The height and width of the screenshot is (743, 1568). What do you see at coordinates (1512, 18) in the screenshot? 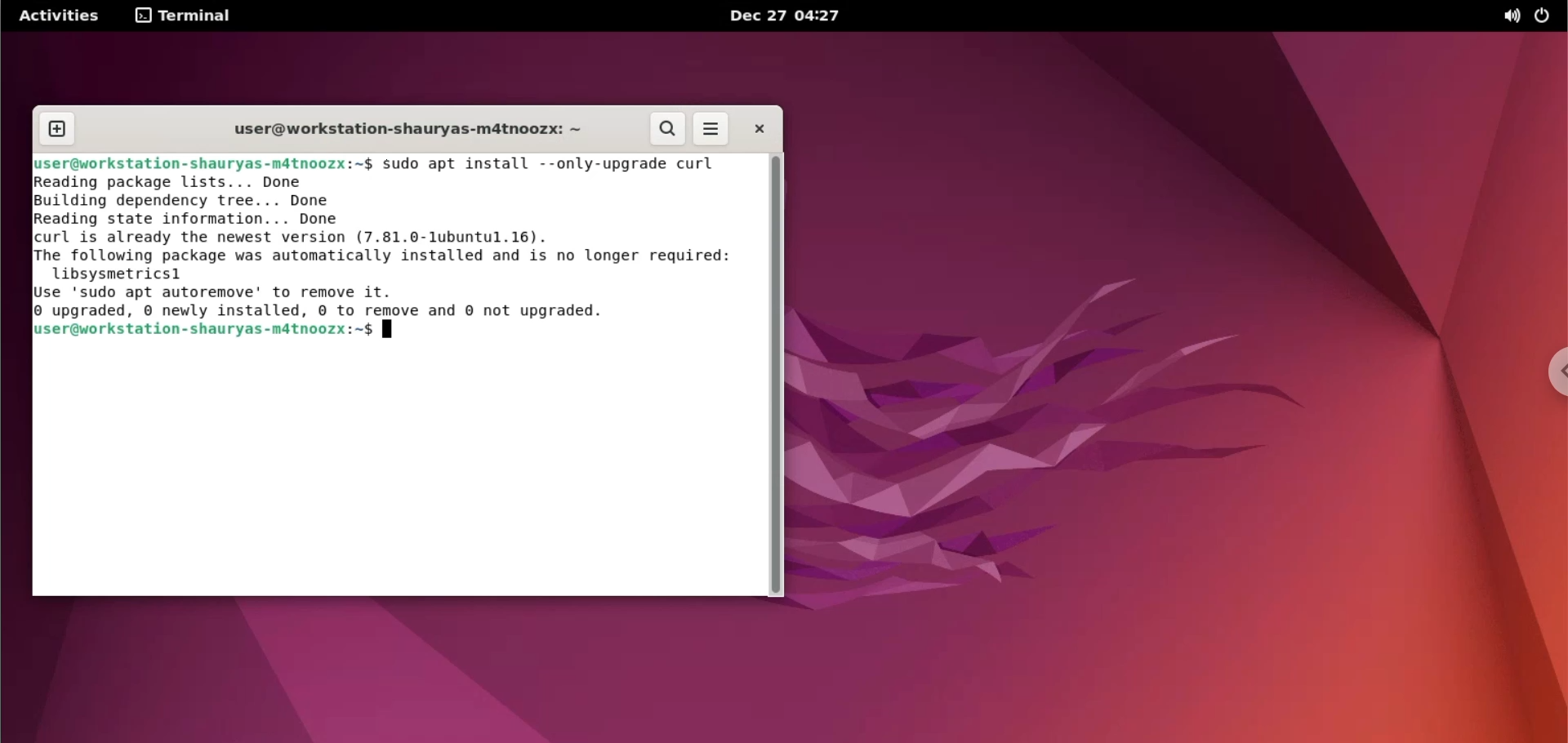
I see `sound option` at bounding box center [1512, 18].